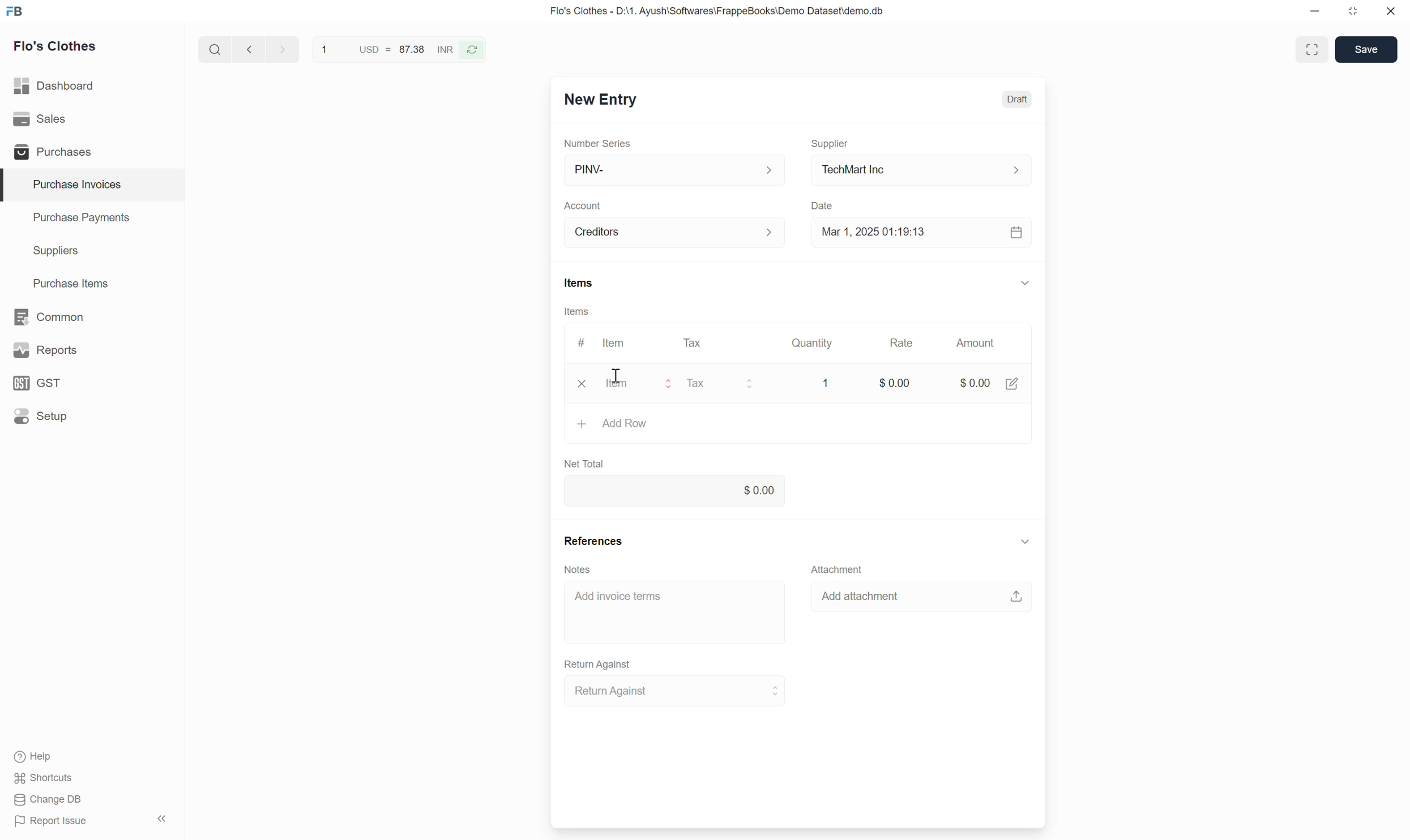  Describe the element at coordinates (583, 568) in the screenshot. I see `Notes` at that location.